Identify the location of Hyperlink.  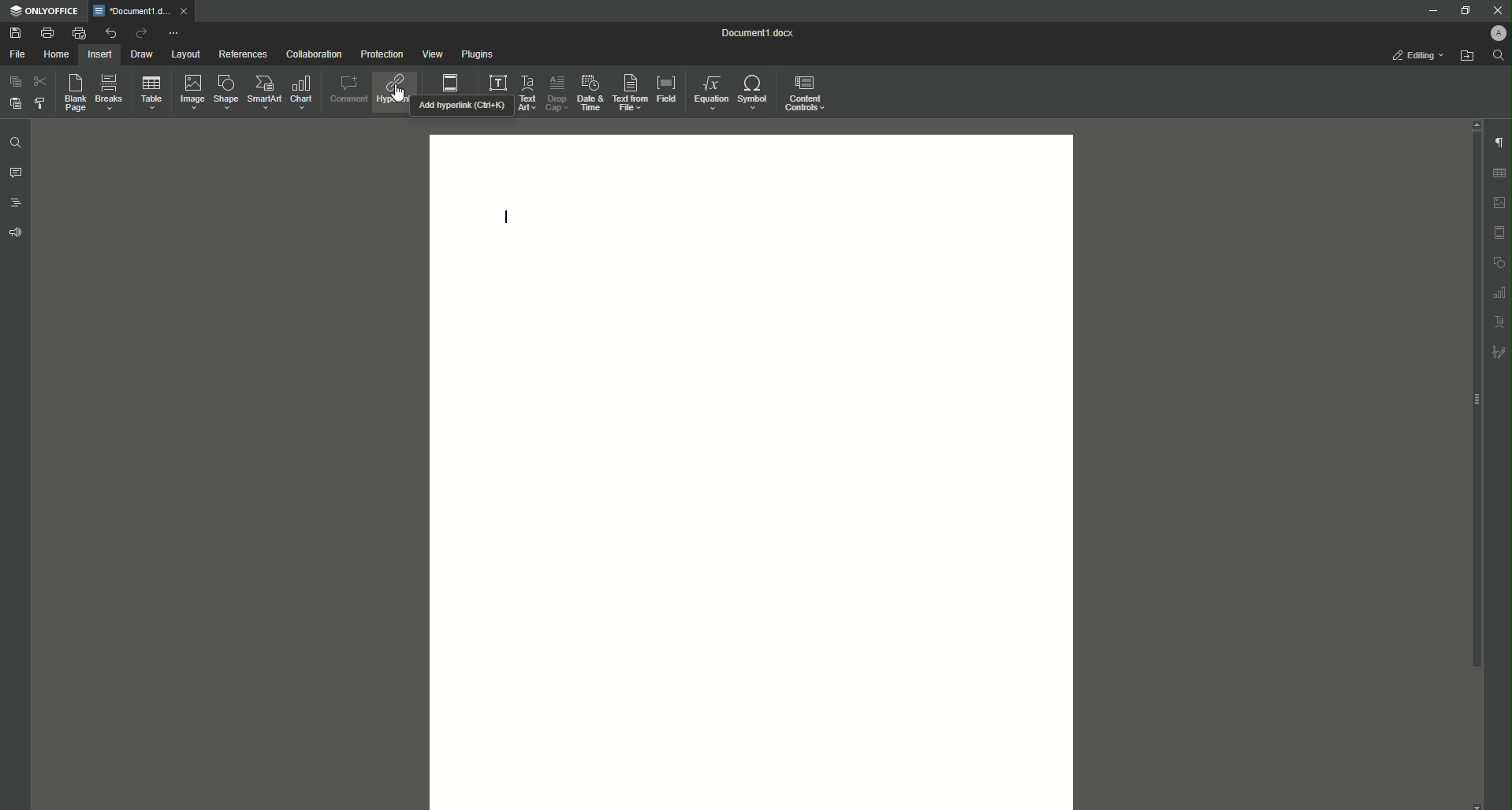
(393, 91).